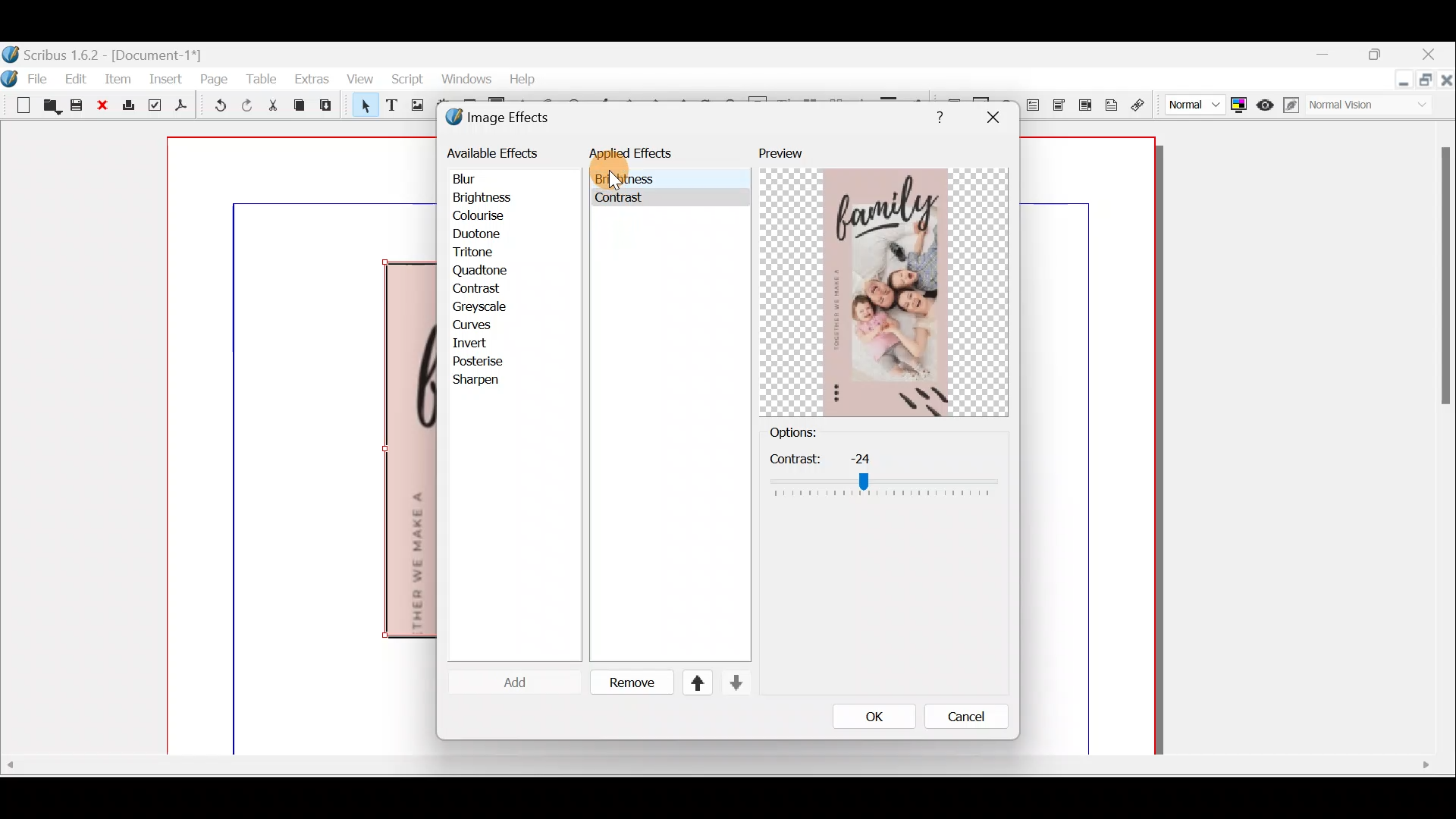  I want to click on , so click(883, 474).